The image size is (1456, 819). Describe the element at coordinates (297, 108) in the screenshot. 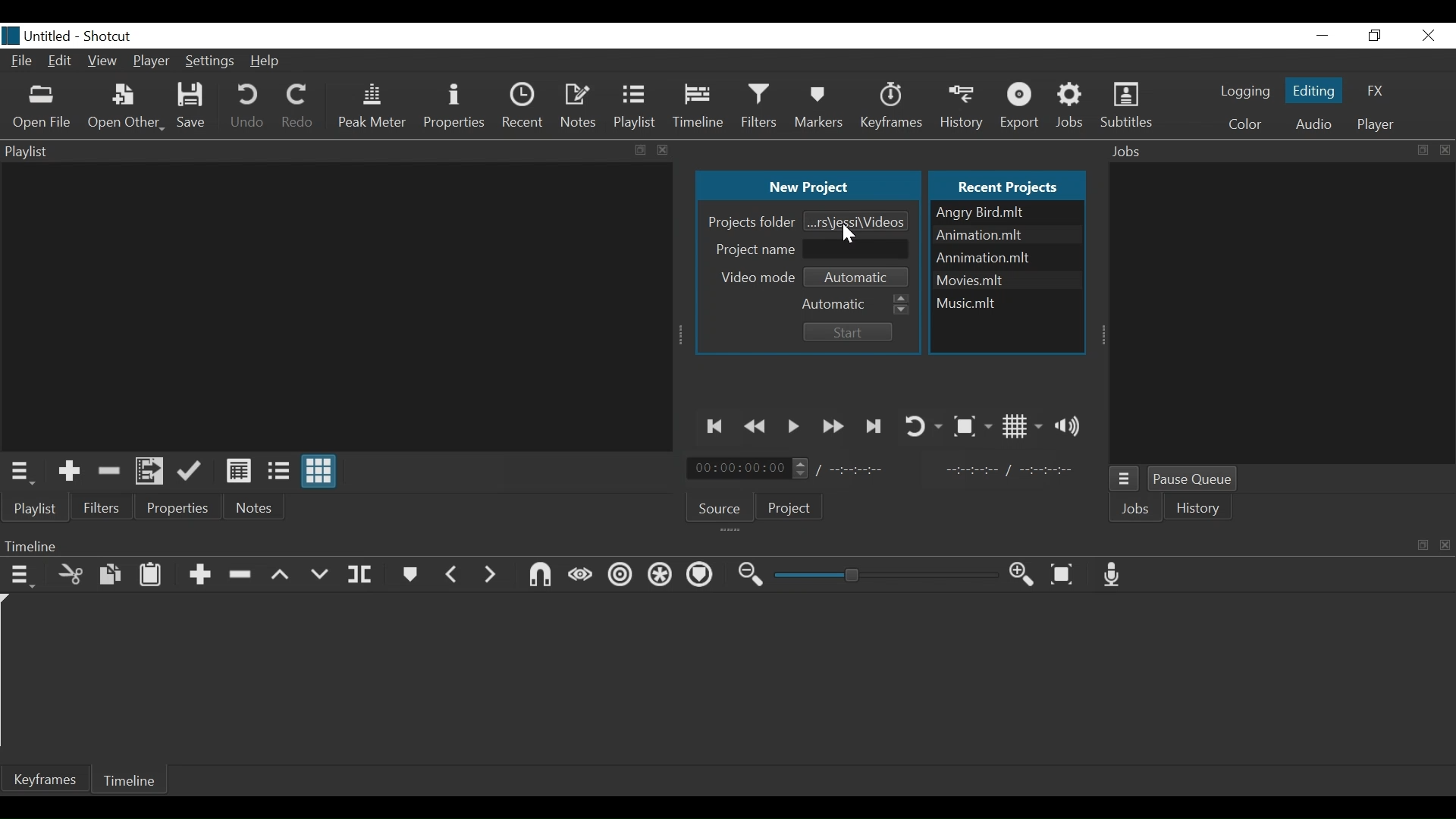

I see `Redo` at that location.